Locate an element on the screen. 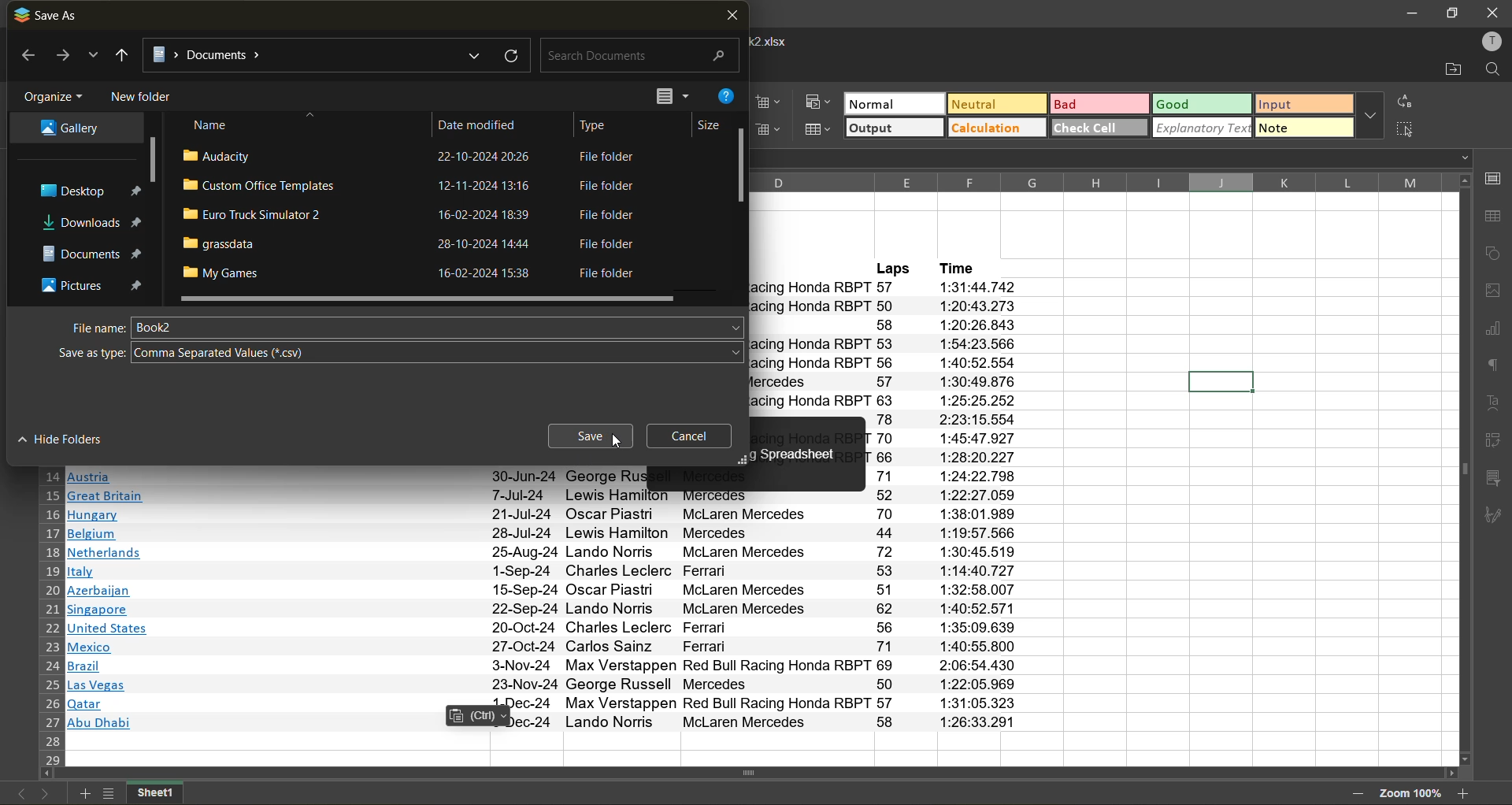 The height and width of the screenshot is (805, 1512). browse is located at coordinates (93, 58).